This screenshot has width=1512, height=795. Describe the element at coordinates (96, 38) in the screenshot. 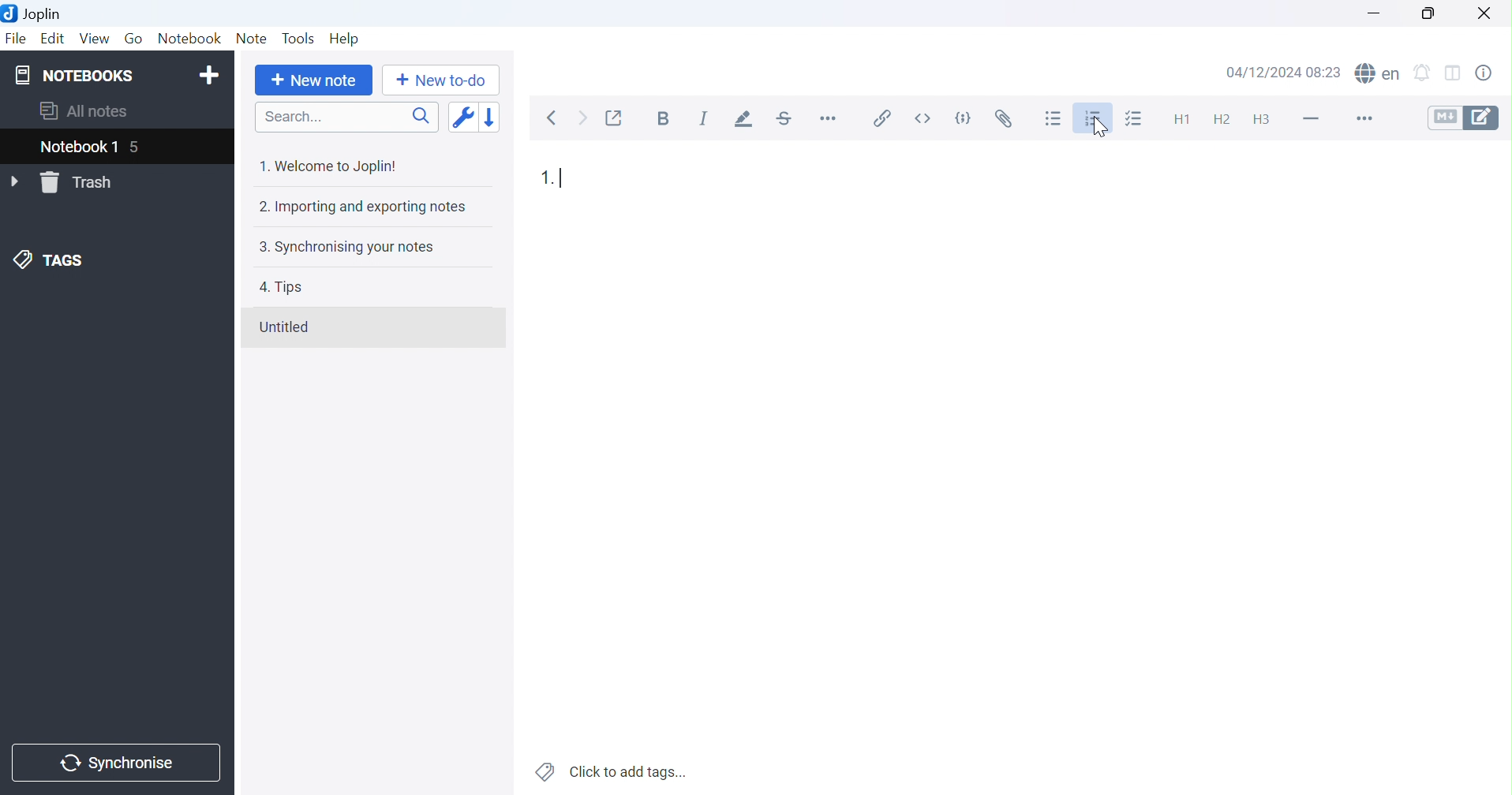

I see `View` at that location.